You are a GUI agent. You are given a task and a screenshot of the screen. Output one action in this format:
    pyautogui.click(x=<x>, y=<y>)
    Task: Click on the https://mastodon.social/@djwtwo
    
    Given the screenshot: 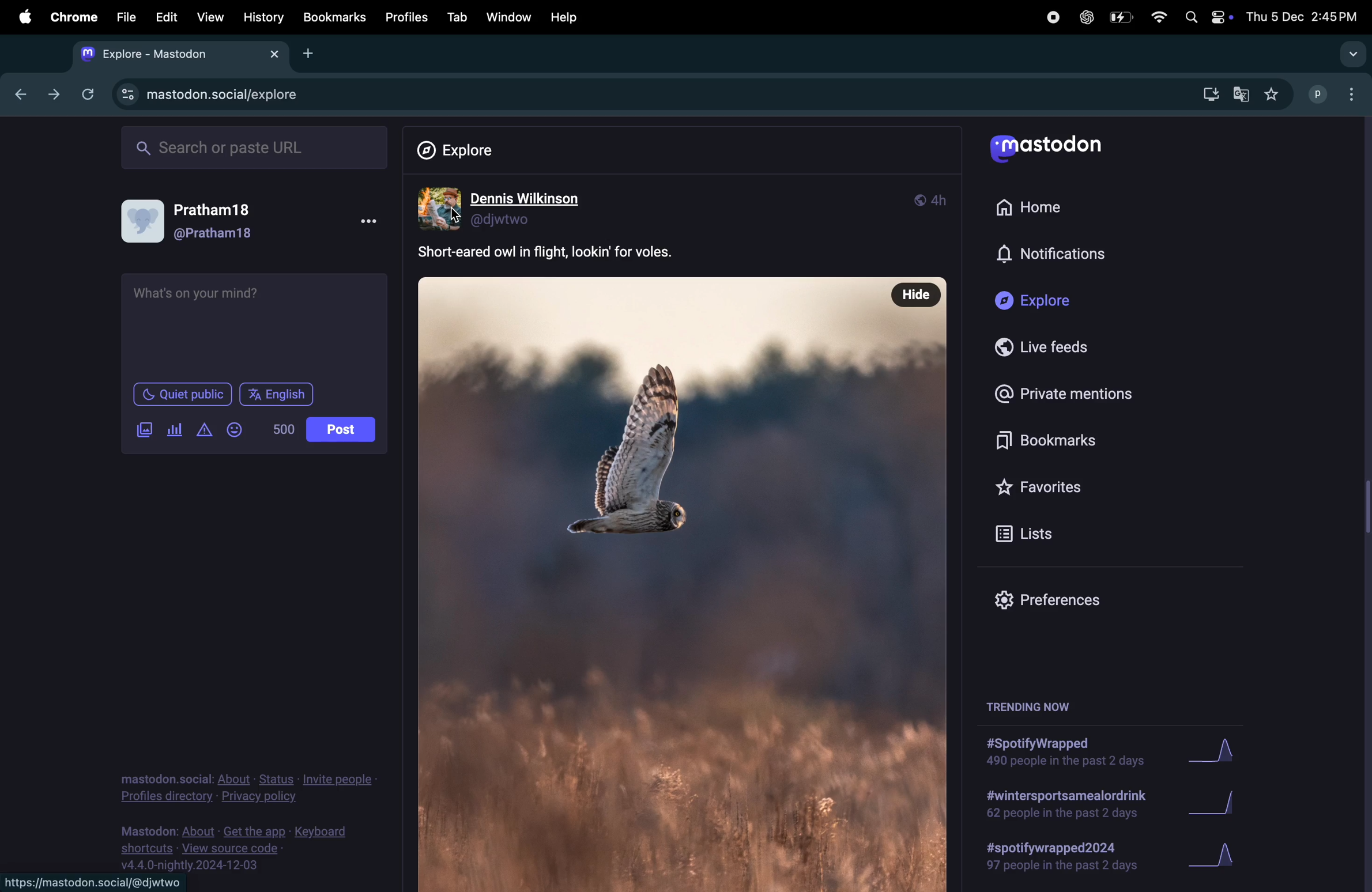 What is the action you would take?
    pyautogui.click(x=97, y=883)
    